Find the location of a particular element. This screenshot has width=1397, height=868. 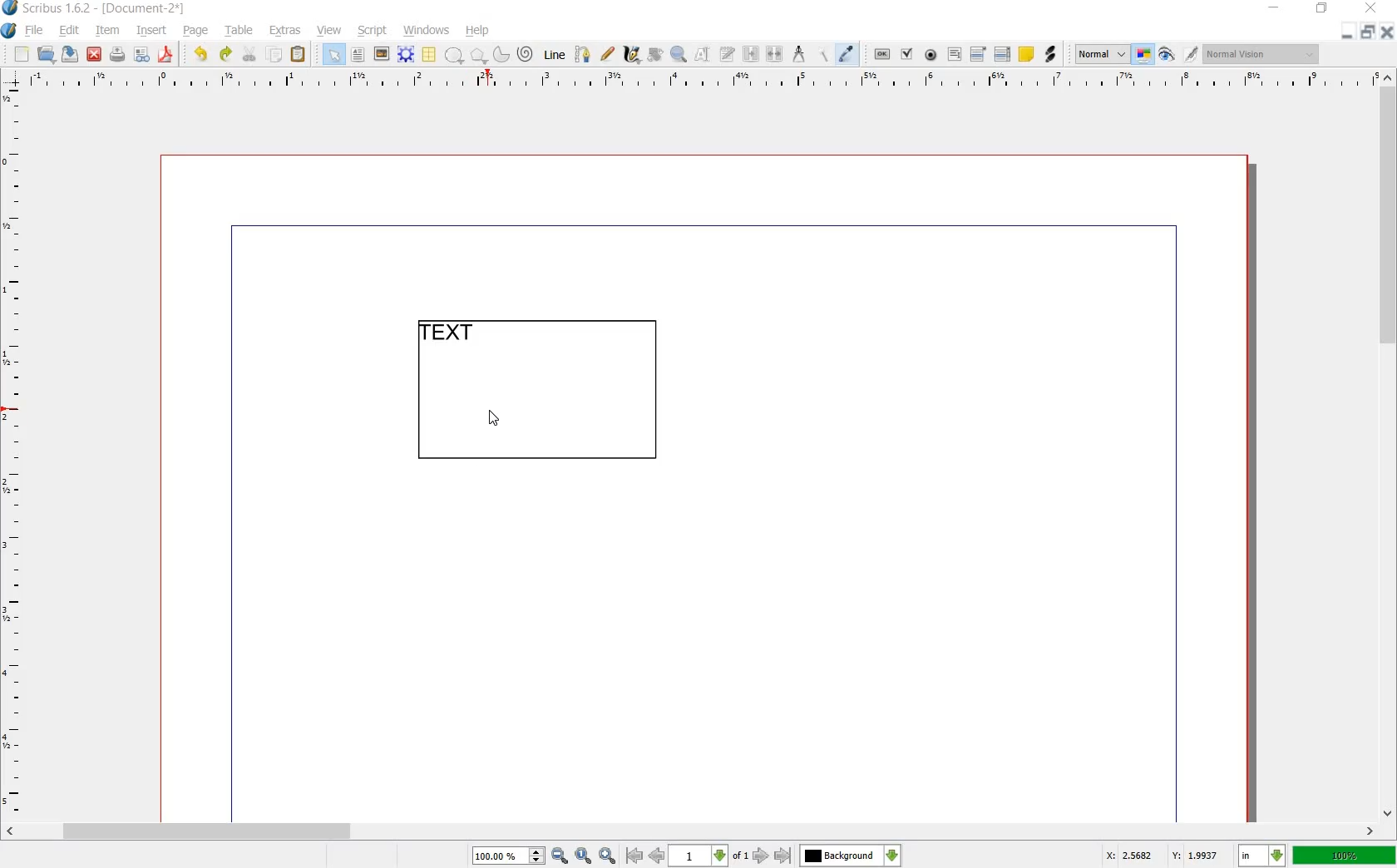

pdf radio button is located at coordinates (931, 55).